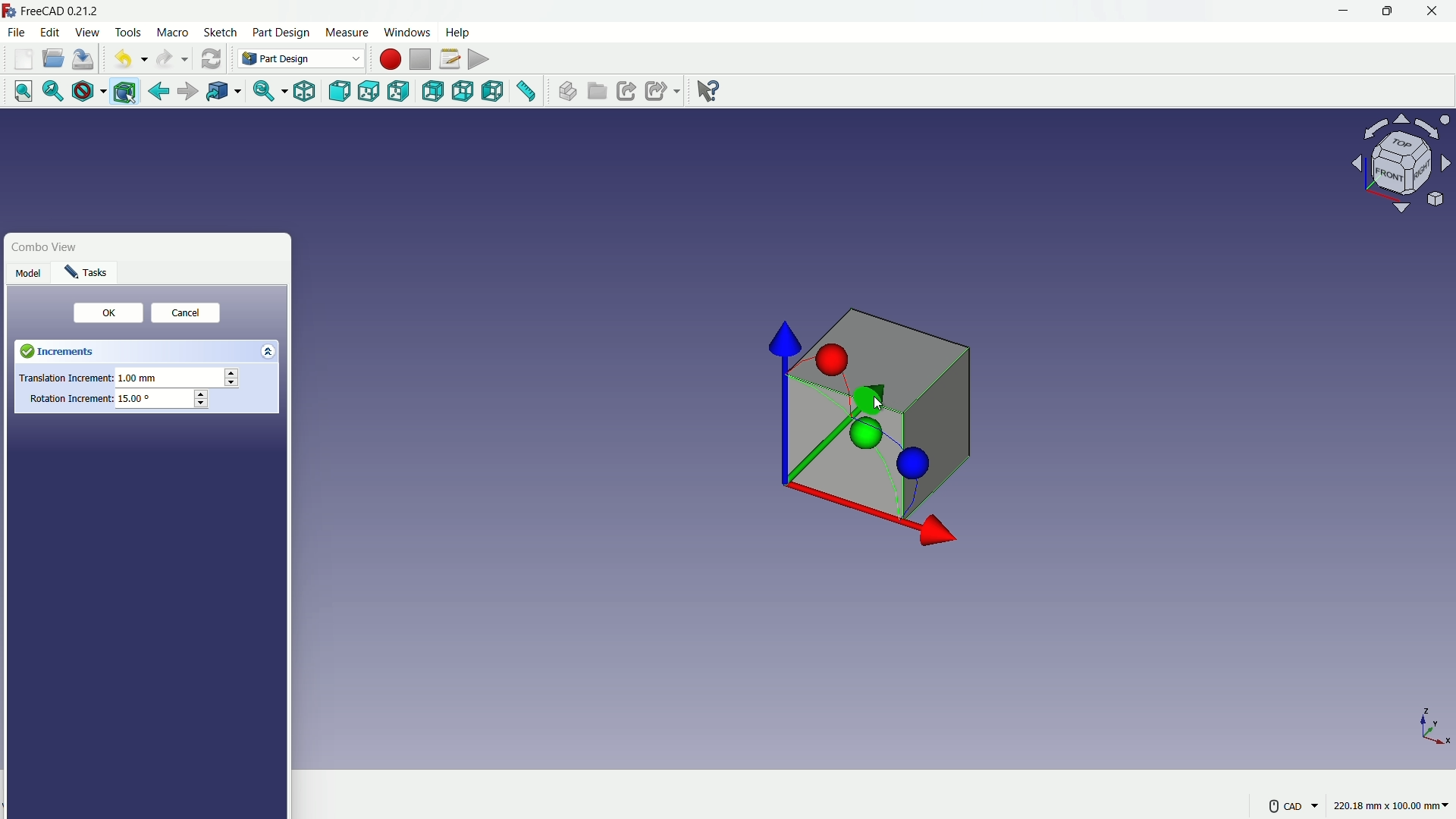 The width and height of the screenshot is (1456, 819). I want to click on top view, so click(372, 91).